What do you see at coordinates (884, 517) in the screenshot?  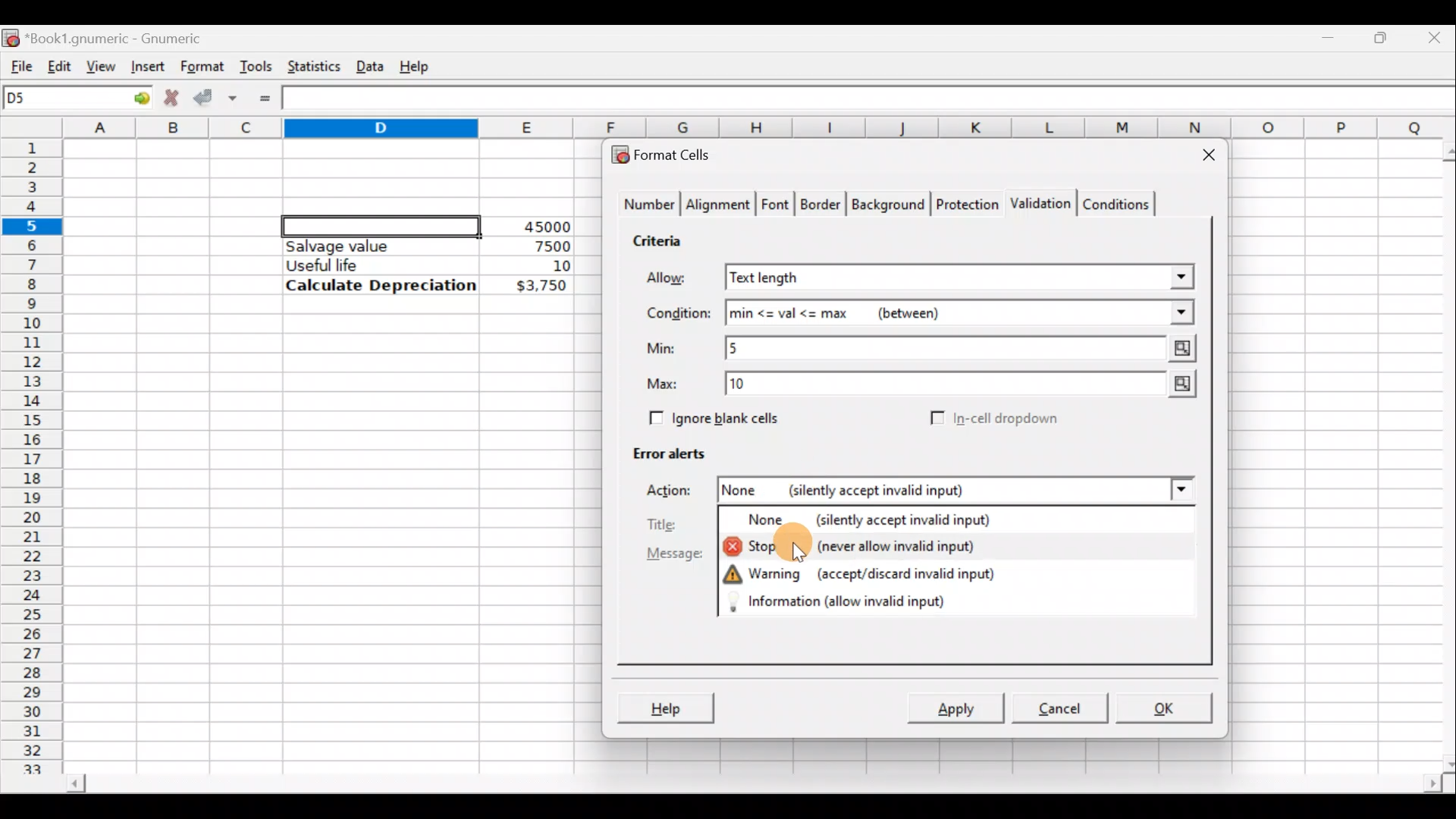 I see `None (silently accept invalid input)` at bounding box center [884, 517].